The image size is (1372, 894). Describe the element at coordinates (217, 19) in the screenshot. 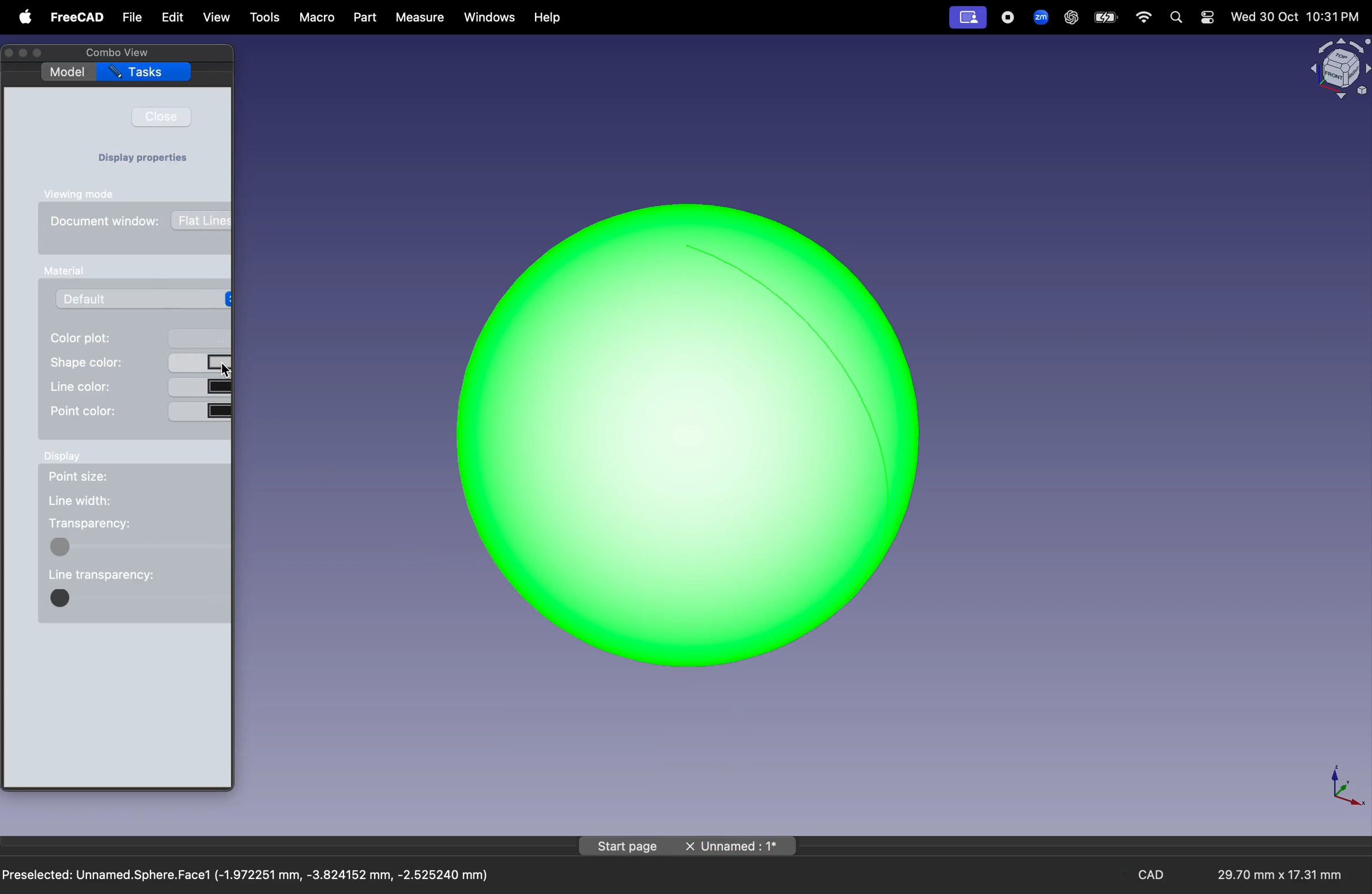

I see `view` at that location.